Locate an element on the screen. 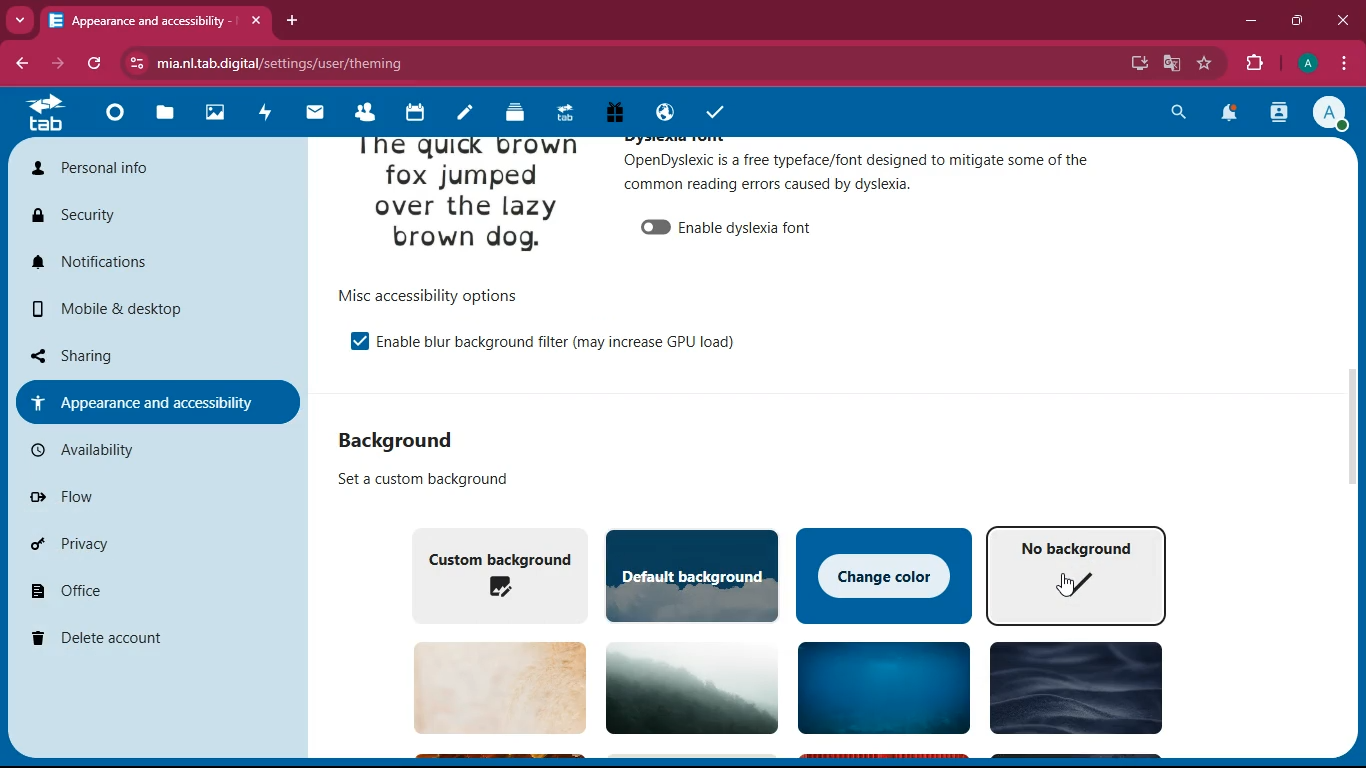  close is located at coordinates (1342, 19).